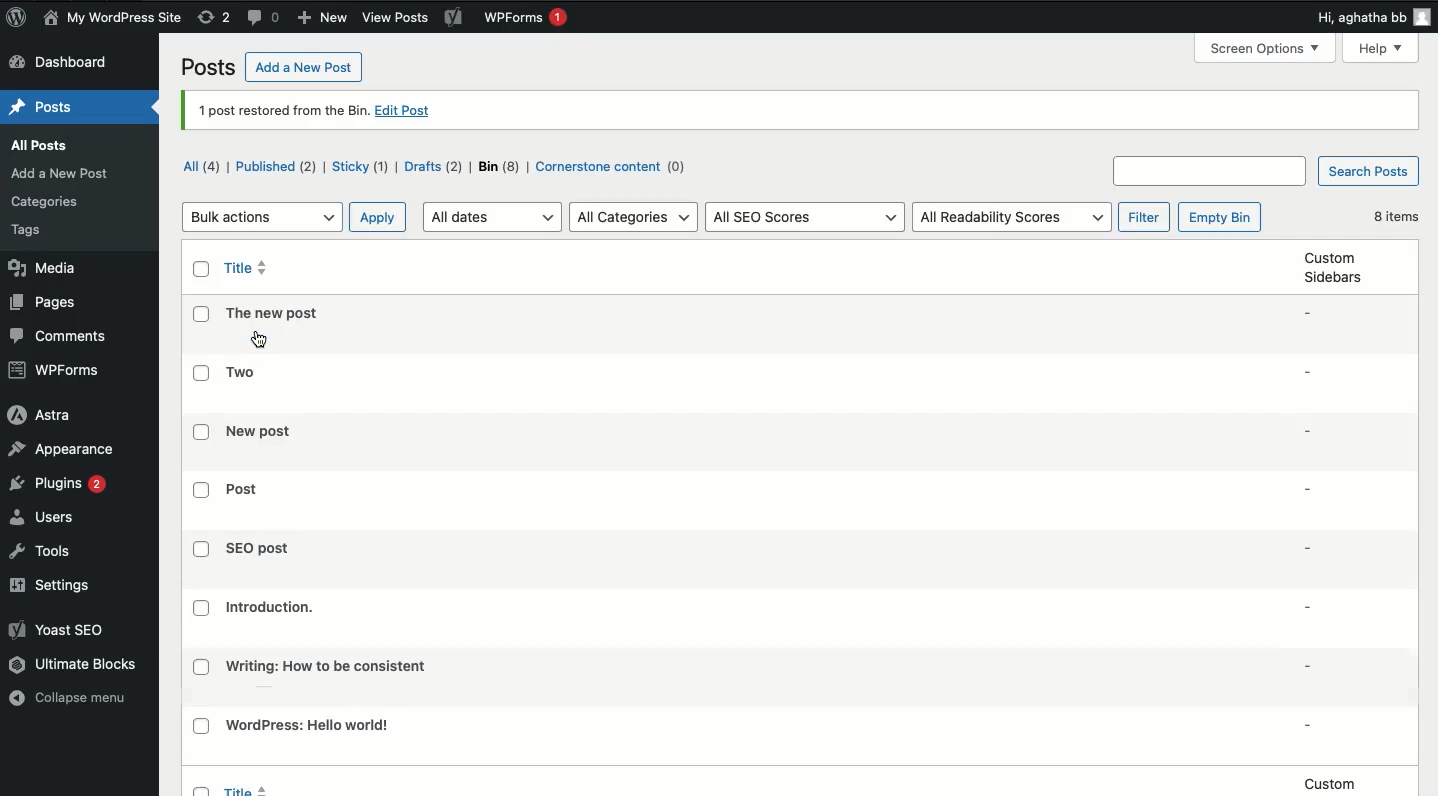 The width and height of the screenshot is (1438, 796). What do you see at coordinates (327, 665) in the screenshot?
I see `Title` at bounding box center [327, 665].